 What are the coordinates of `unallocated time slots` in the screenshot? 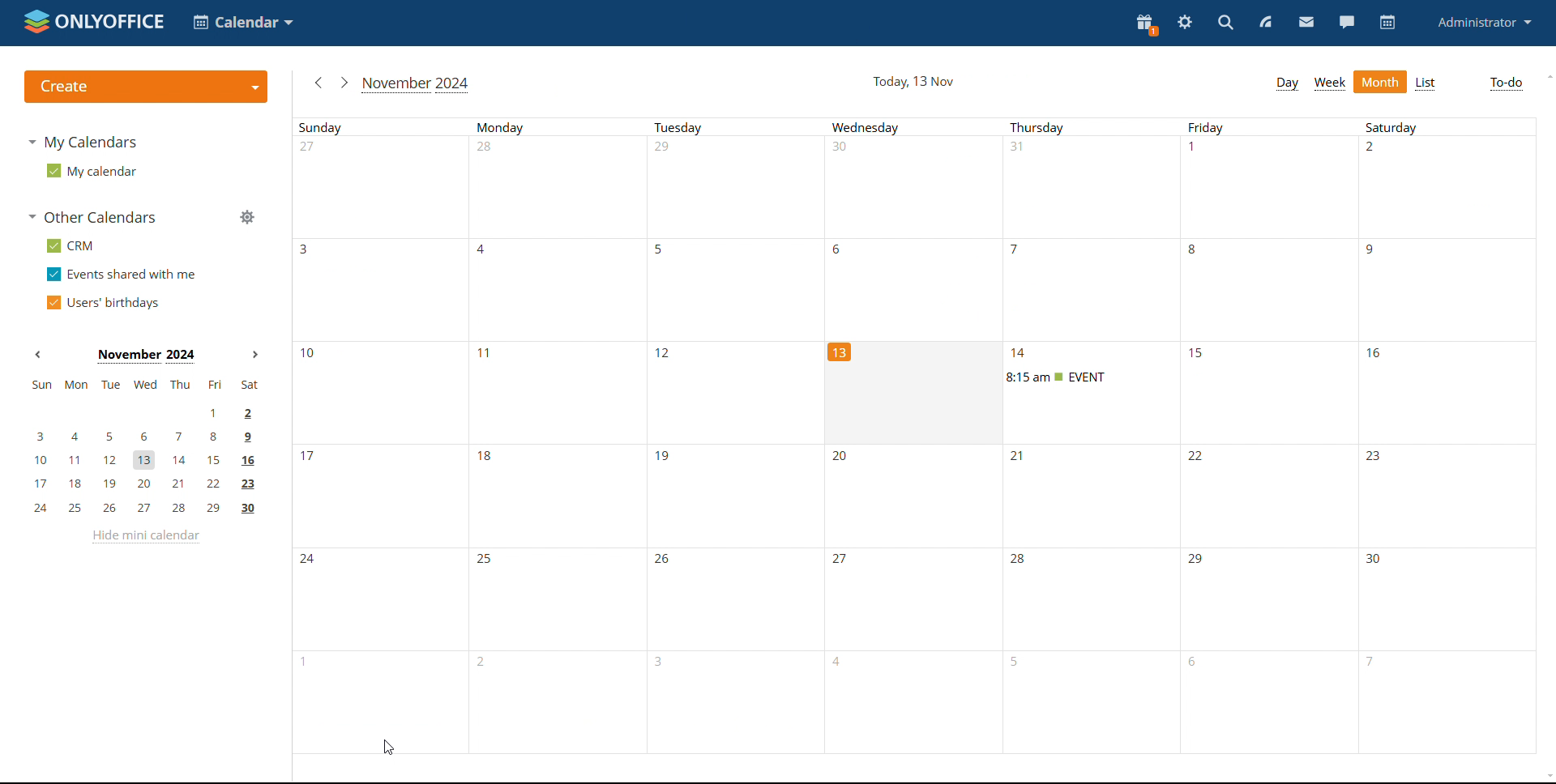 It's located at (561, 394).